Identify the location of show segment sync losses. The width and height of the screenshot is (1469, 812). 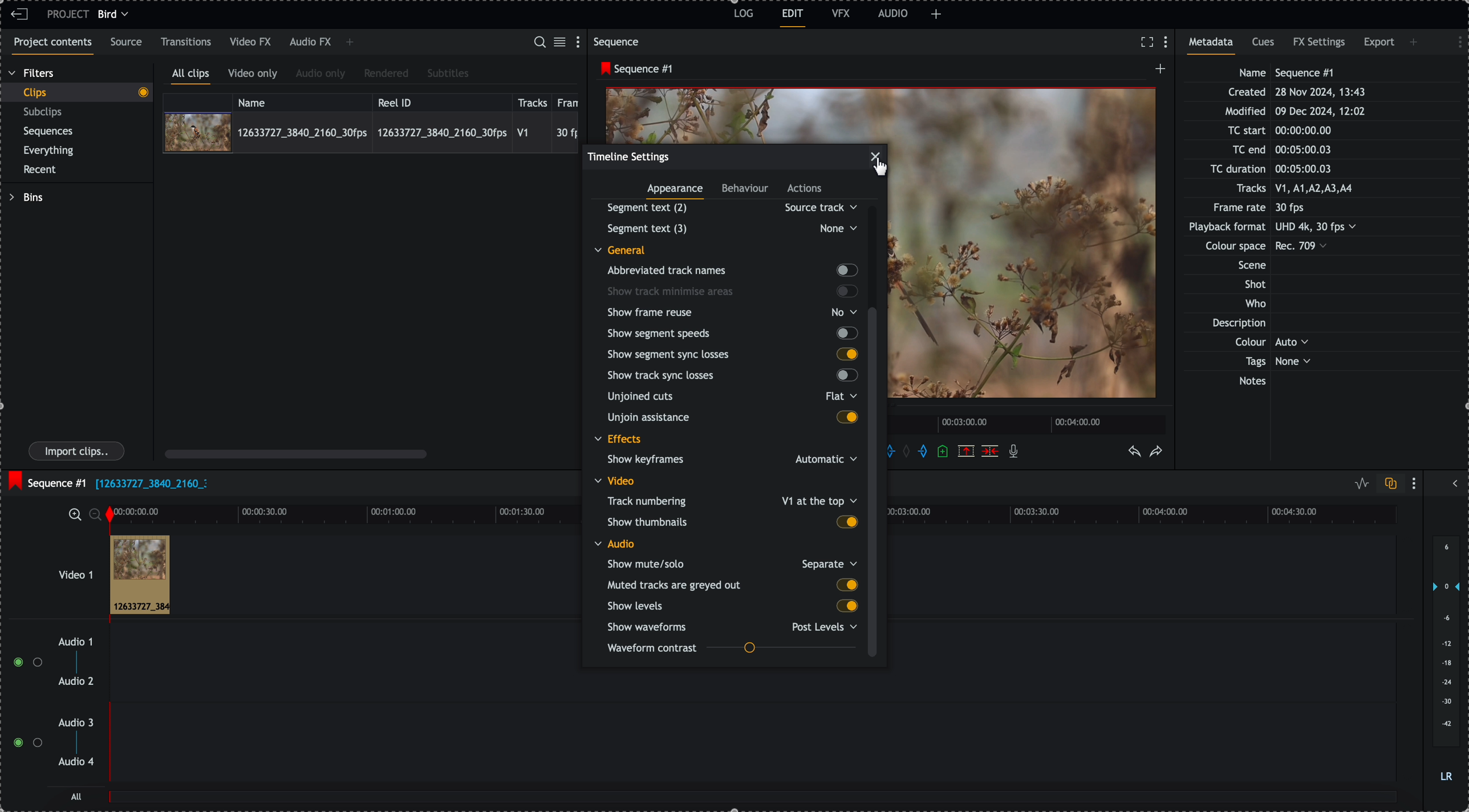
(732, 354).